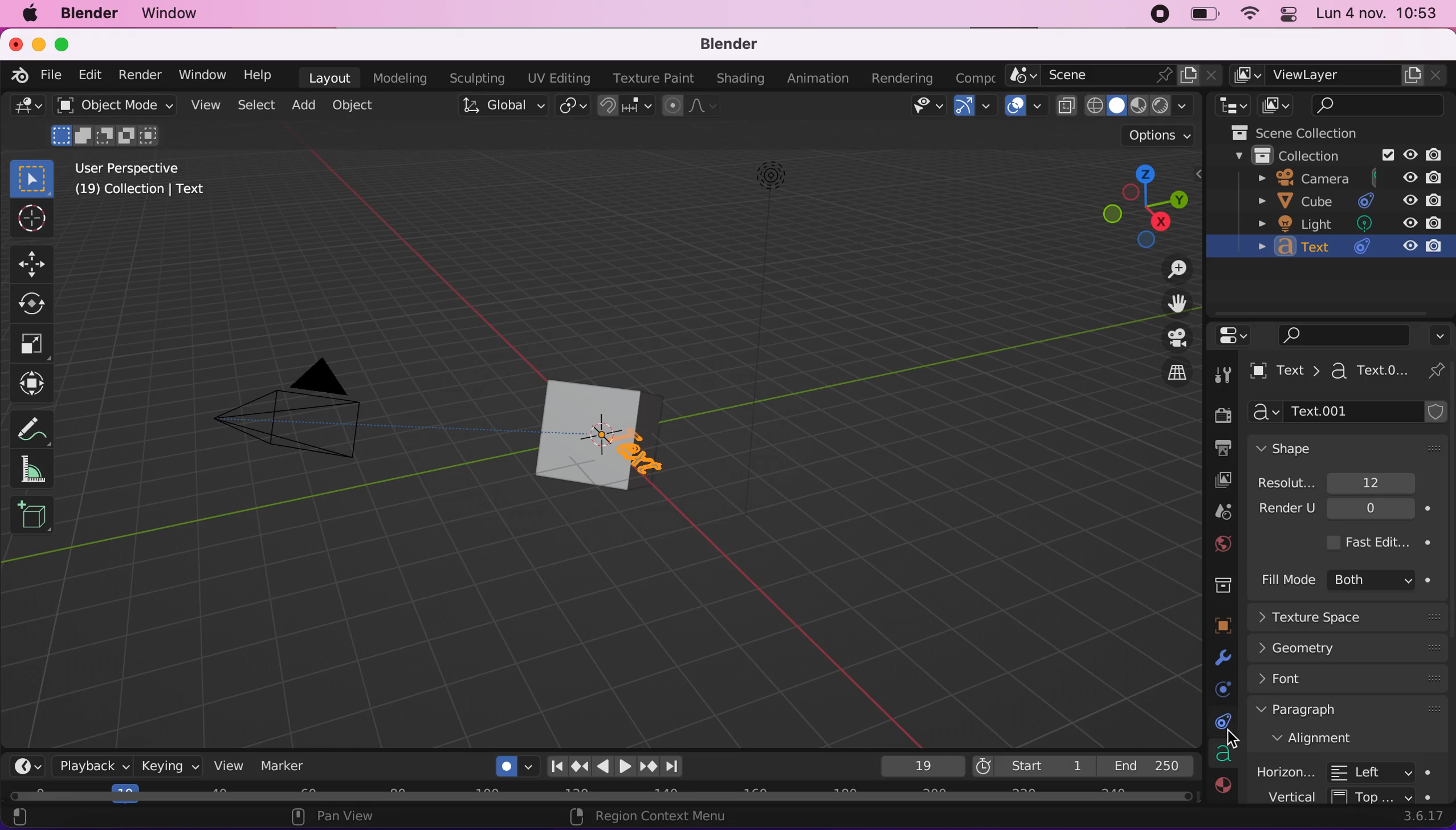 The width and height of the screenshot is (1456, 830). What do you see at coordinates (904, 78) in the screenshot?
I see `rendering` at bounding box center [904, 78].